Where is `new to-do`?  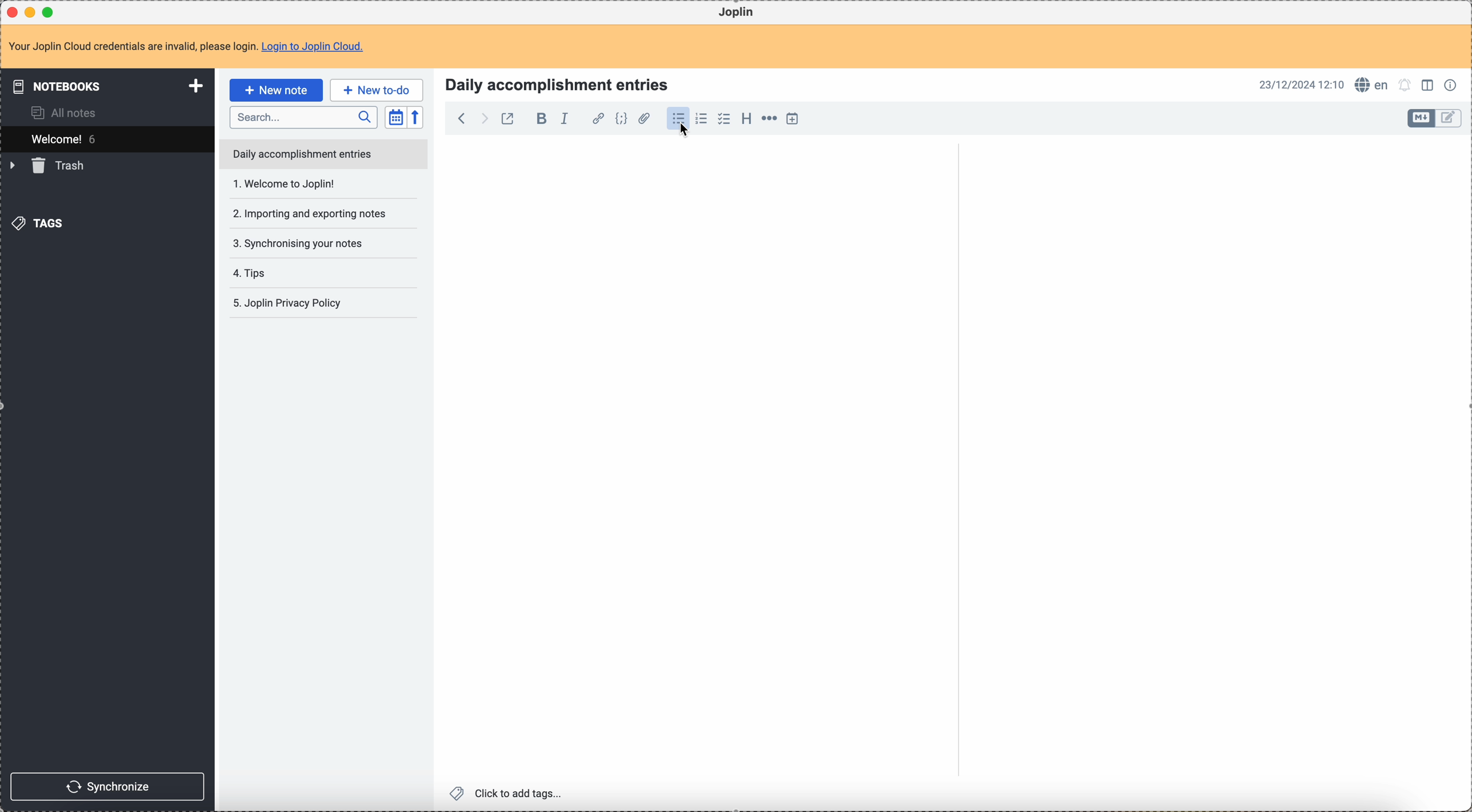 new to-do is located at coordinates (377, 89).